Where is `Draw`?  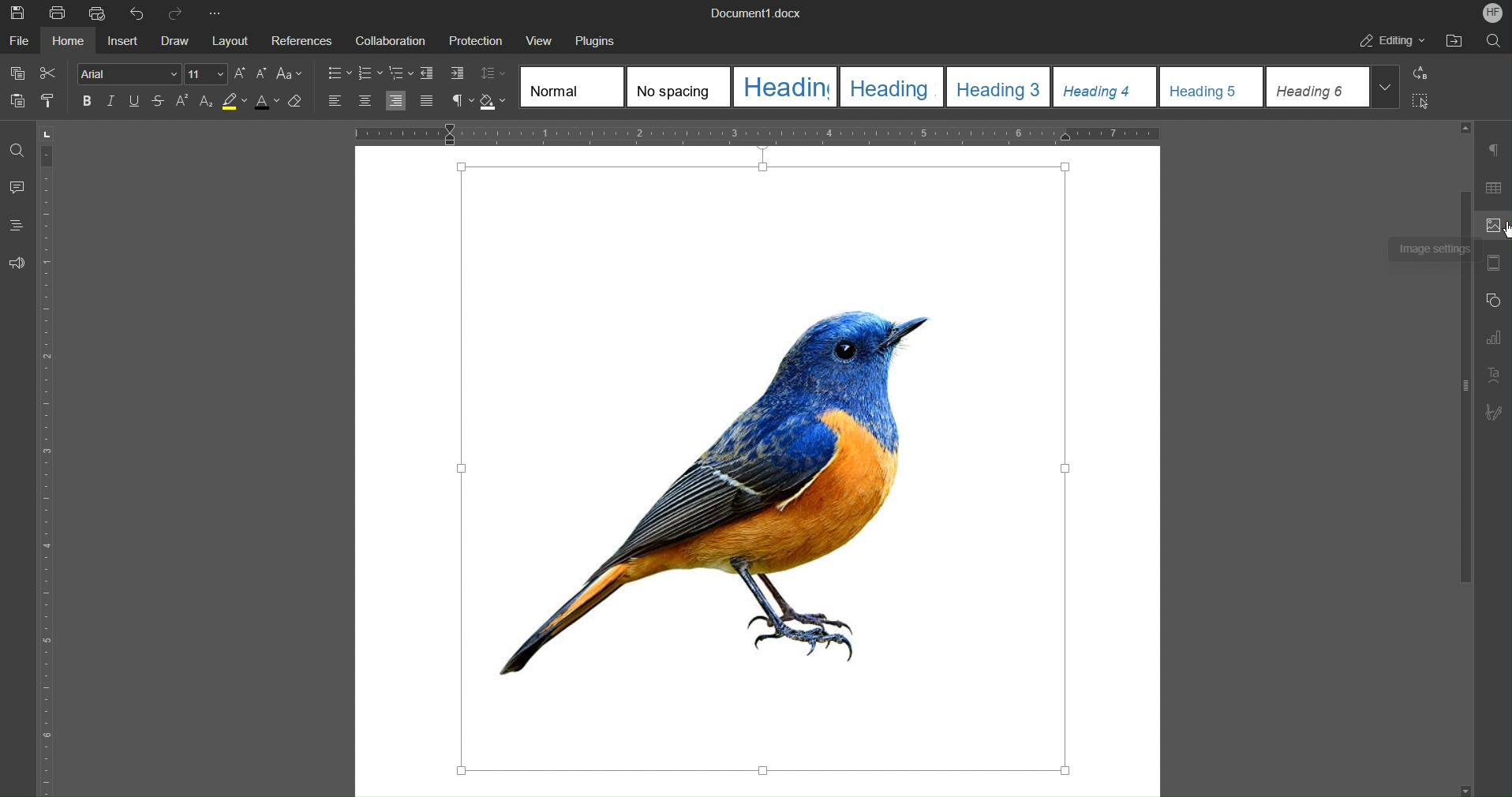 Draw is located at coordinates (175, 39).